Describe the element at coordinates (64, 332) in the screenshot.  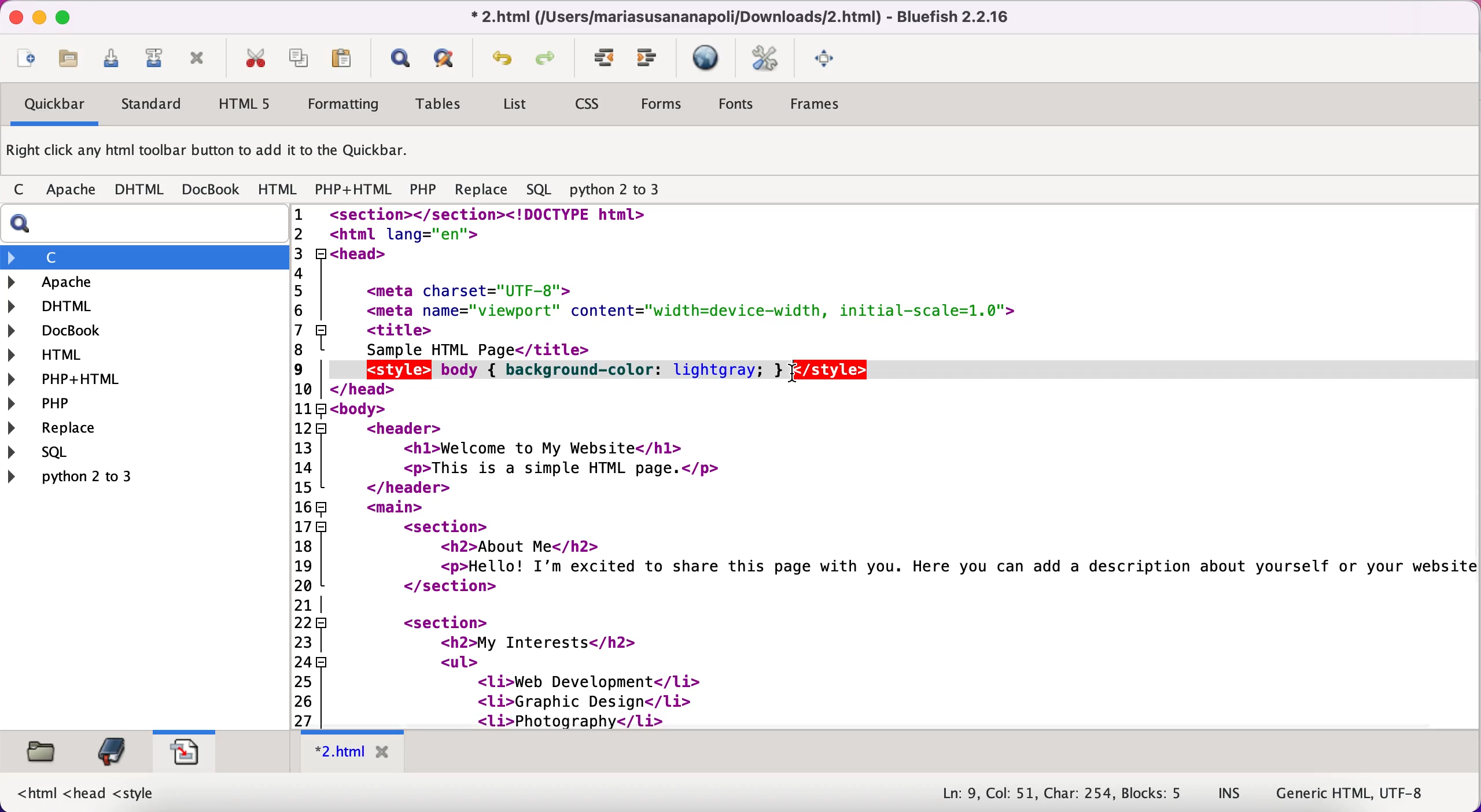
I see `docbook` at that location.